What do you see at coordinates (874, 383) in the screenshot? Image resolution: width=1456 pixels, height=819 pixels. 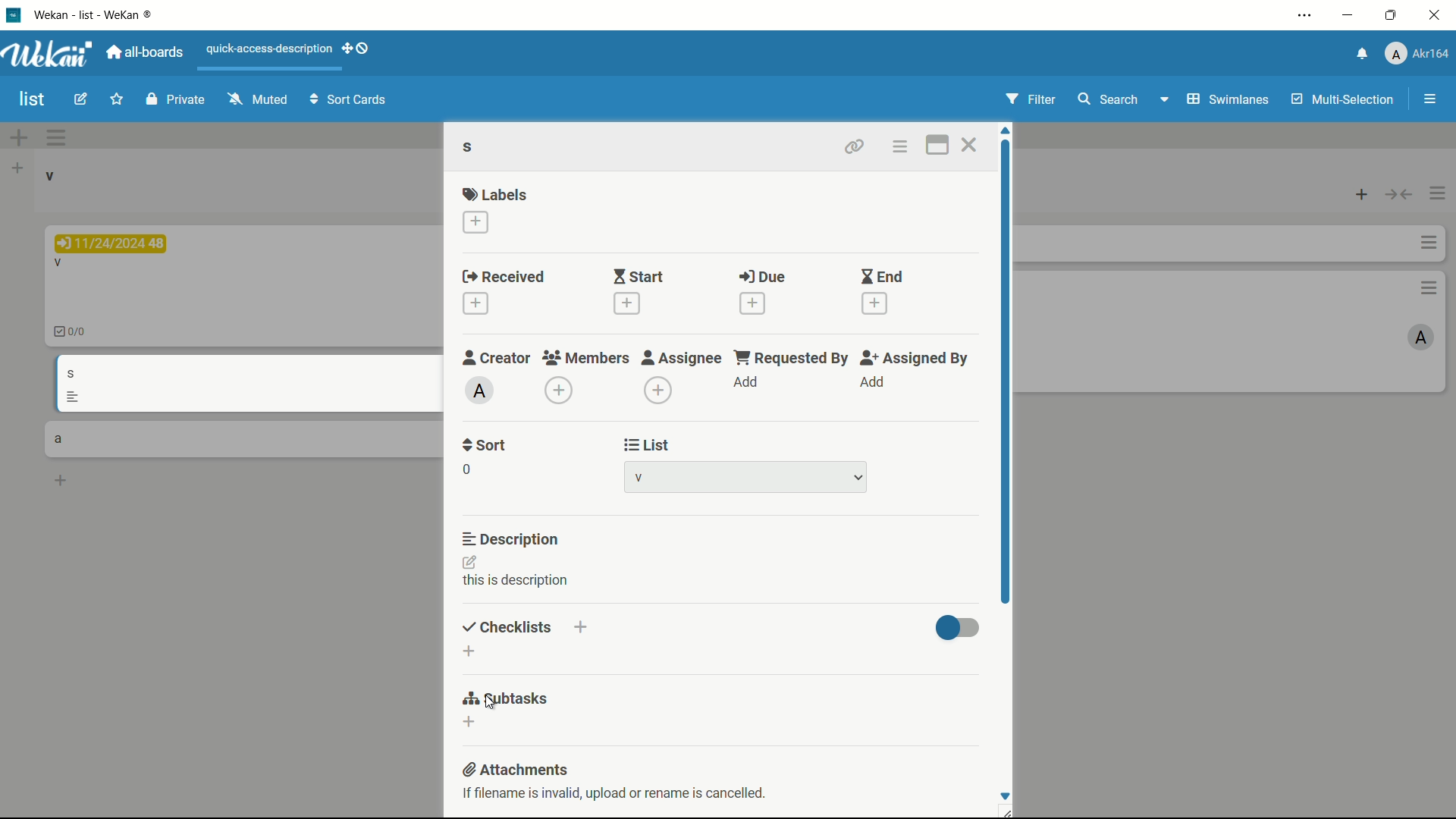 I see `add` at bounding box center [874, 383].